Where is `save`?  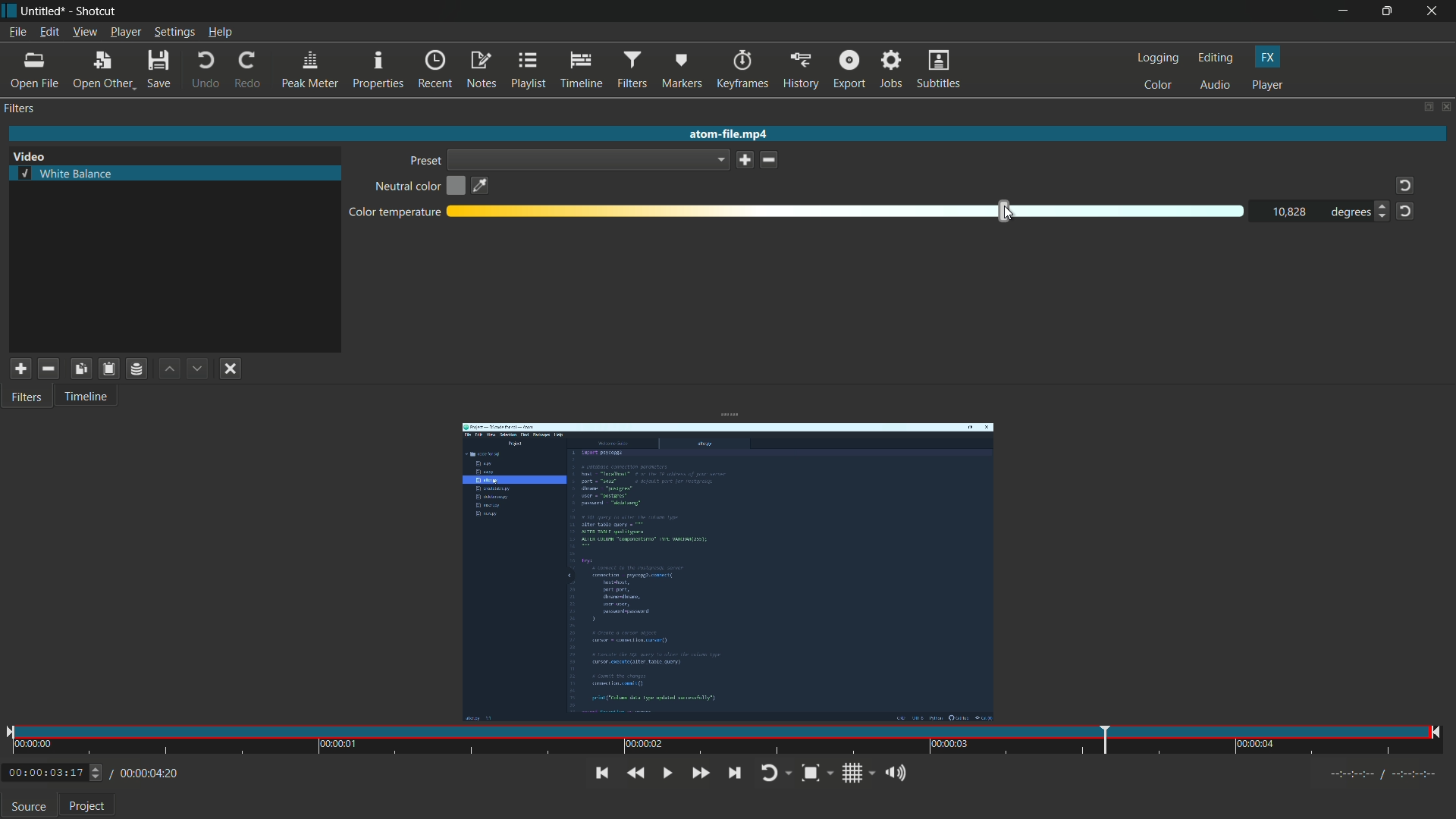
save is located at coordinates (158, 67).